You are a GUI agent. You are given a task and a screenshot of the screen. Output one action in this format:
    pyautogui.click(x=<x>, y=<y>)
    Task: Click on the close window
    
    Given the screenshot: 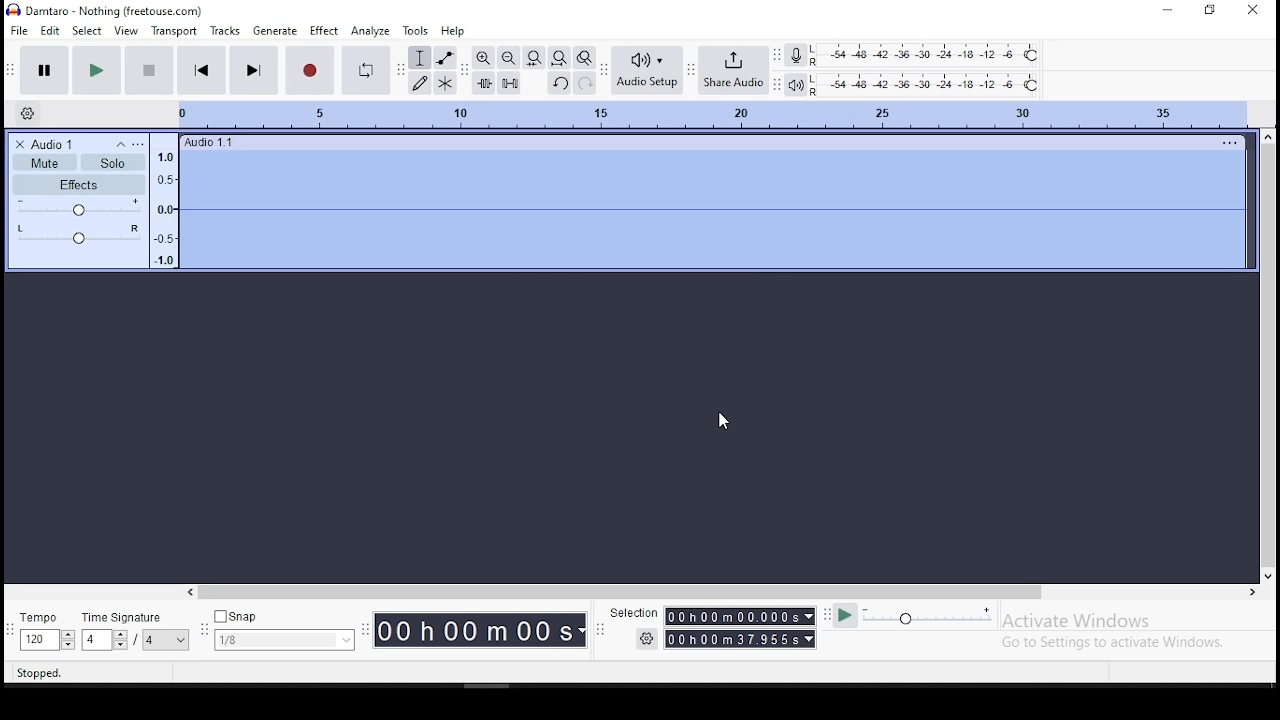 What is the action you would take?
    pyautogui.click(x=1255, y=10)
    